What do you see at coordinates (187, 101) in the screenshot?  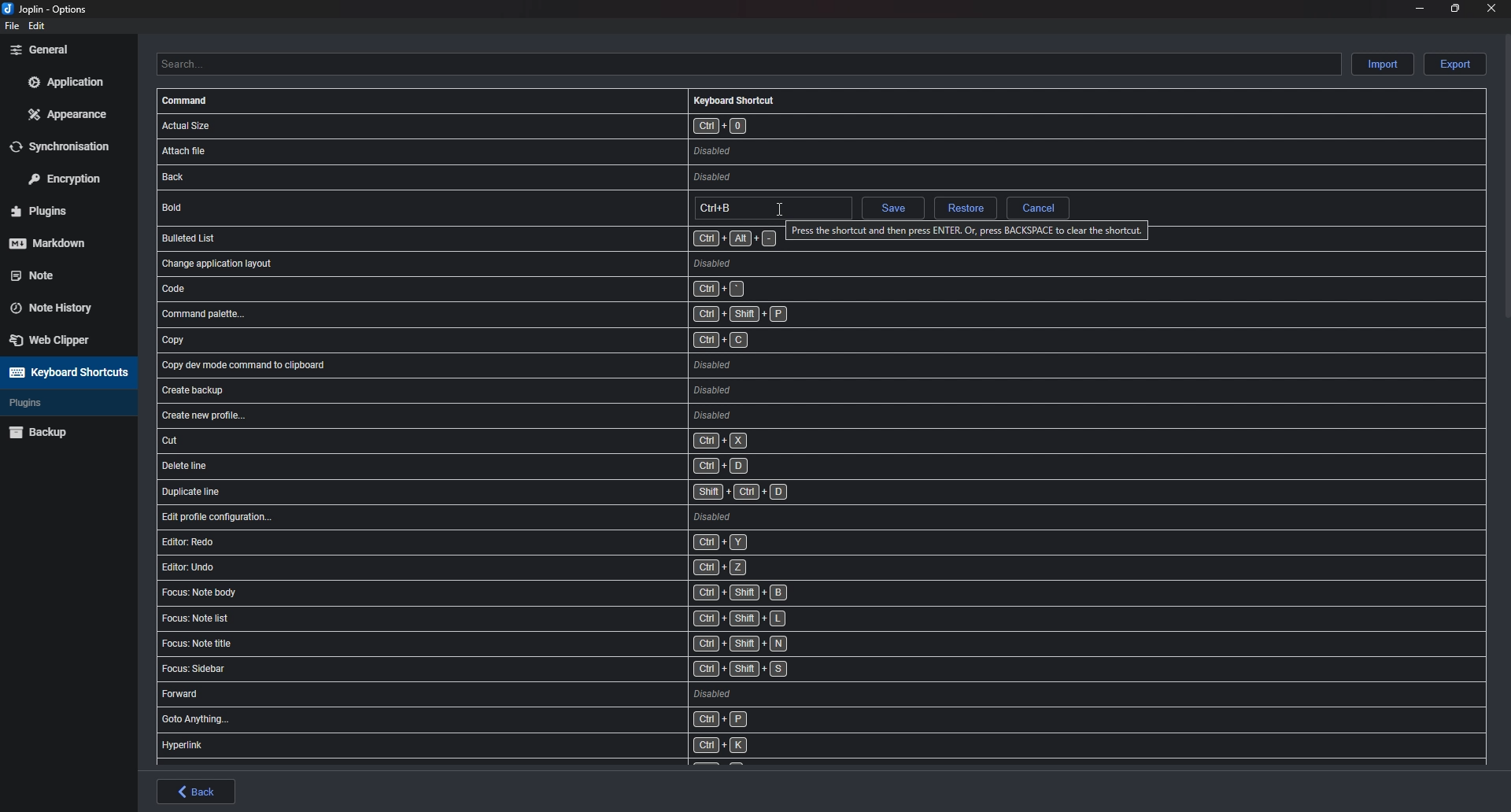 I see `Command` at bounding box center [187, 101].